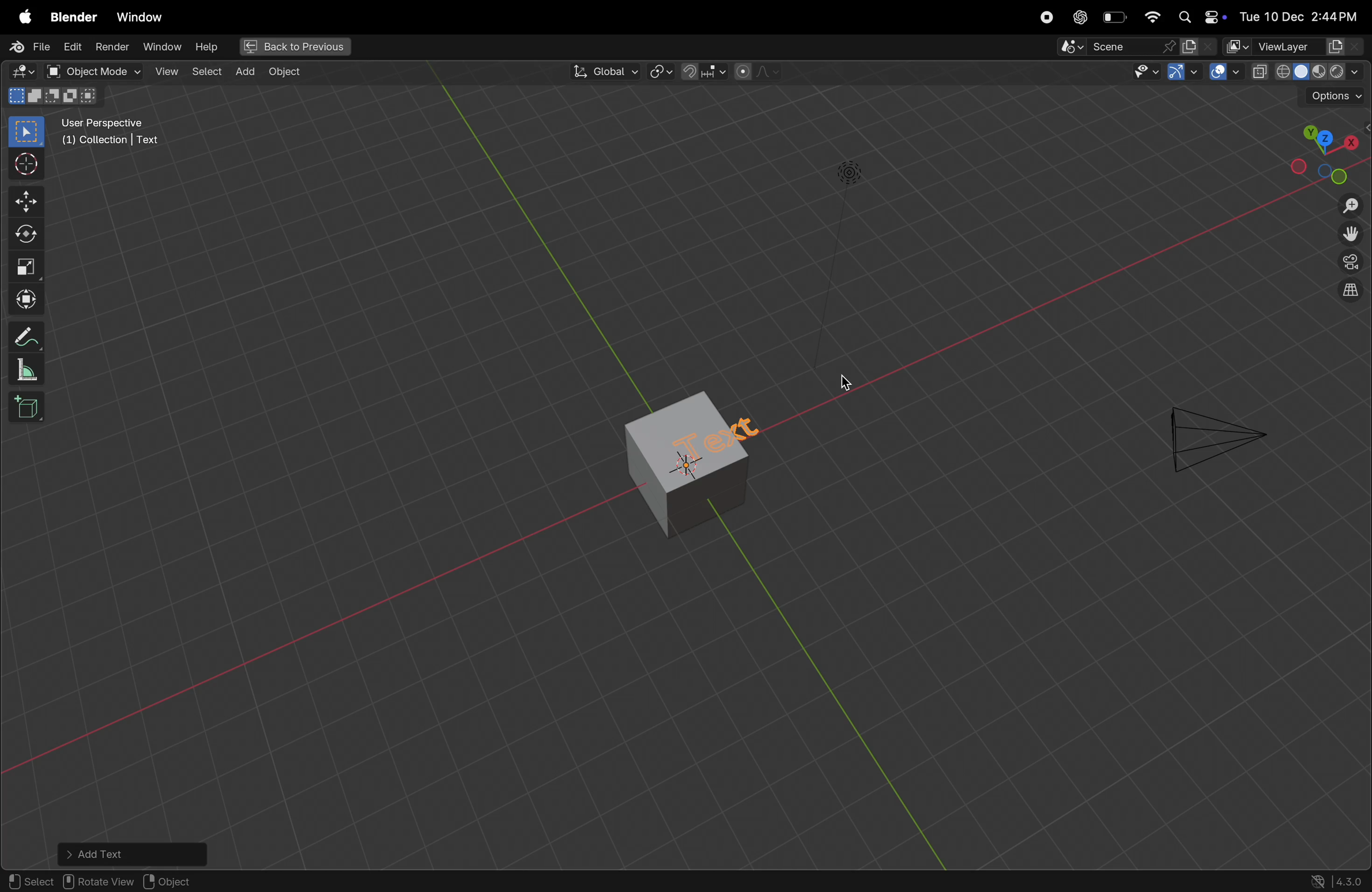  Describe the element at coordinates (730, 441) in the screenshot. I see `Text` at that location.